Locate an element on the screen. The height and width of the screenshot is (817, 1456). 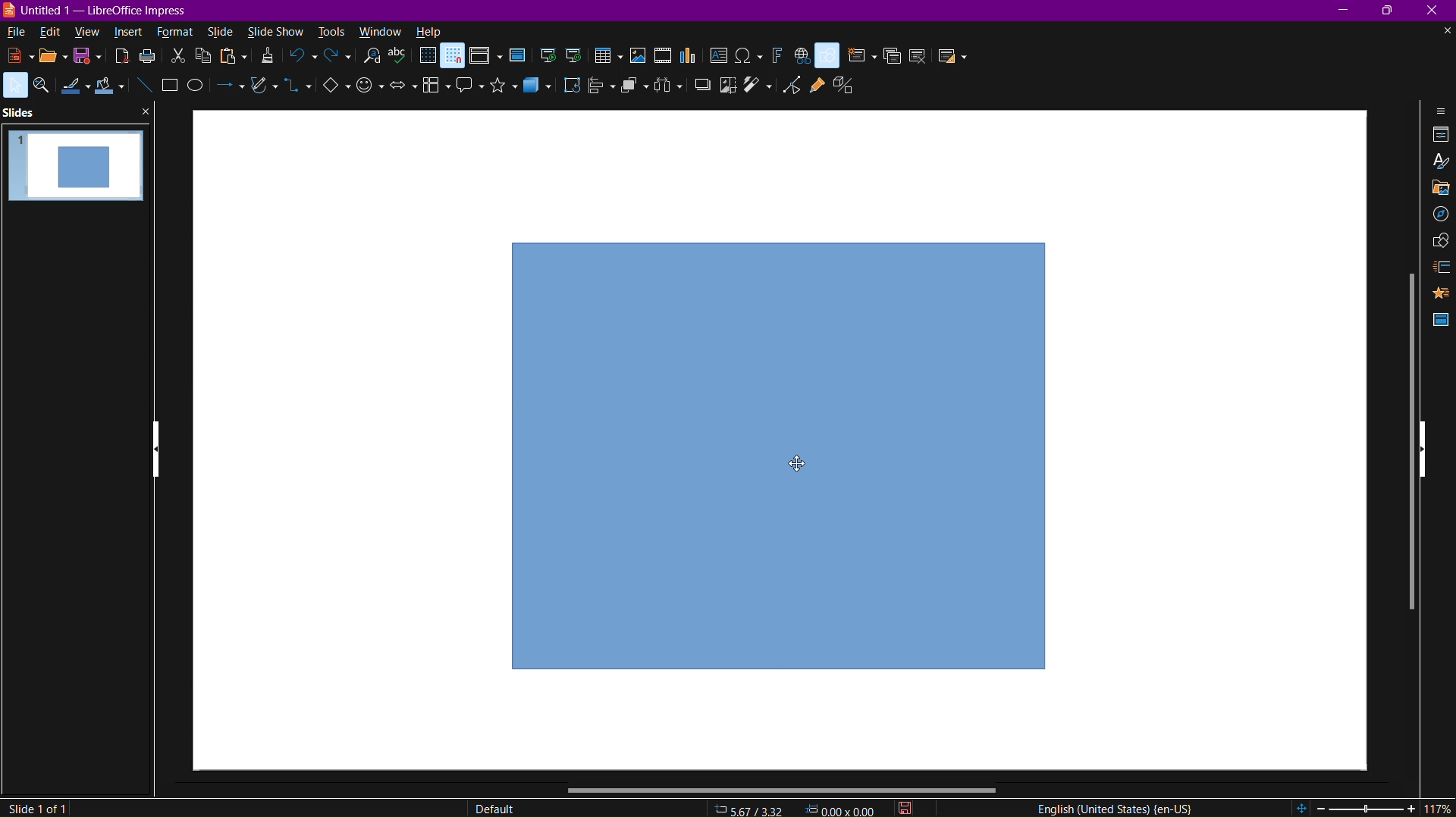
Paste is located at coordinates (233, 60).